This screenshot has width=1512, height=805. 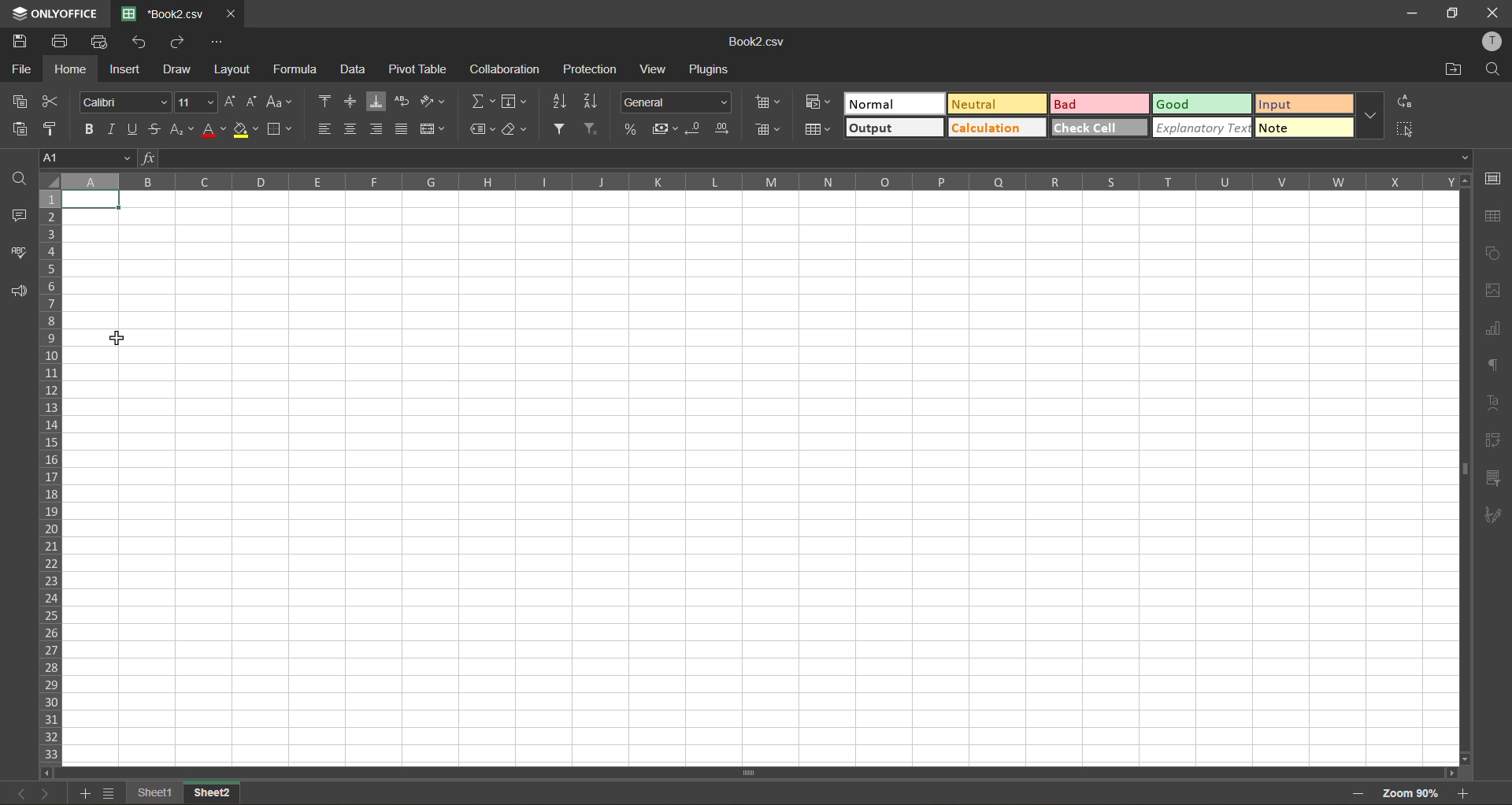 I want to click on align left, so click(x=325, y=130).